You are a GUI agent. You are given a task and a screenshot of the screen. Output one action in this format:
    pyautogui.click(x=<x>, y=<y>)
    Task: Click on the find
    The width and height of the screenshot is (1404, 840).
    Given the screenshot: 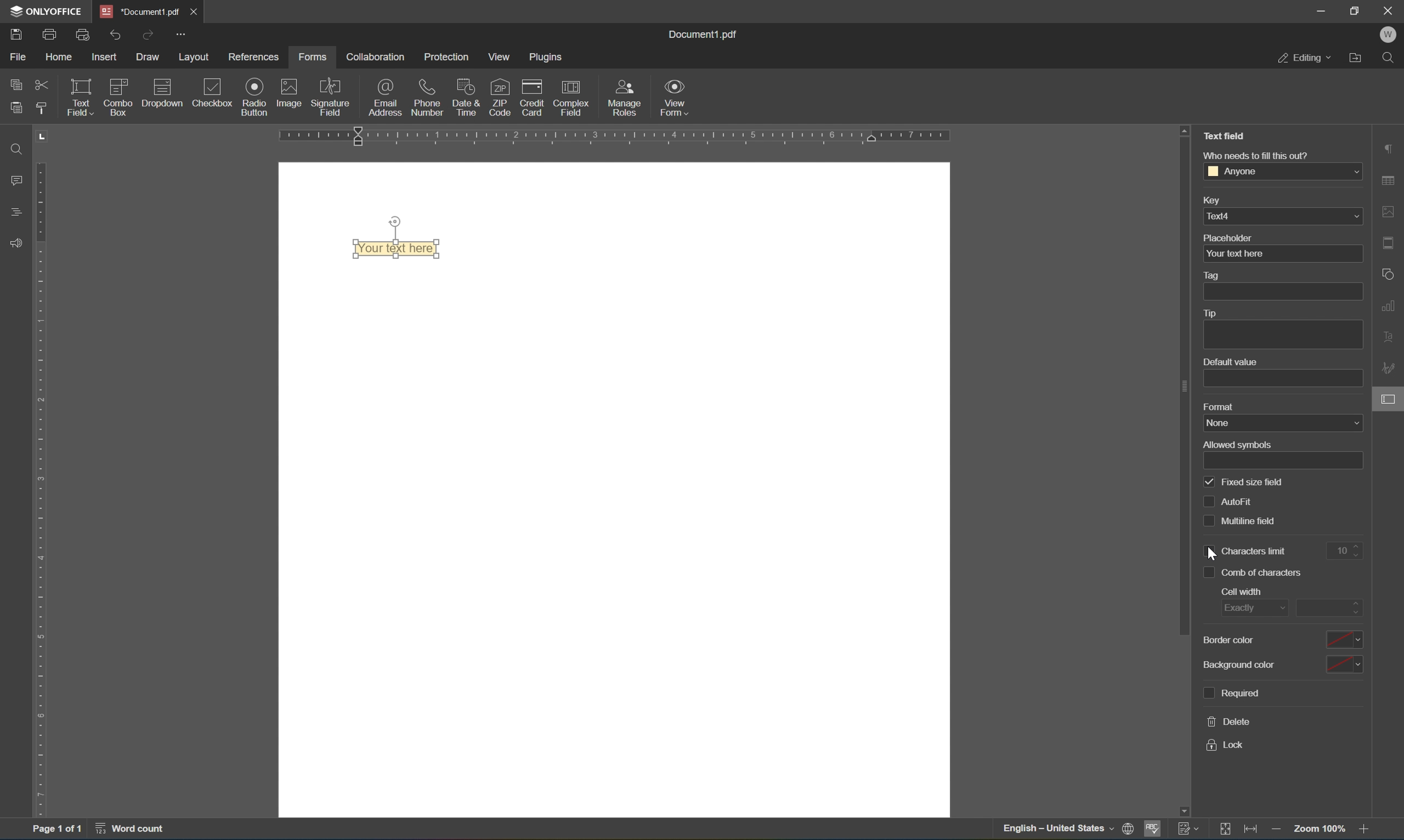 What is the action you would take?
    pyautogui.click(x=14, y=149)
    